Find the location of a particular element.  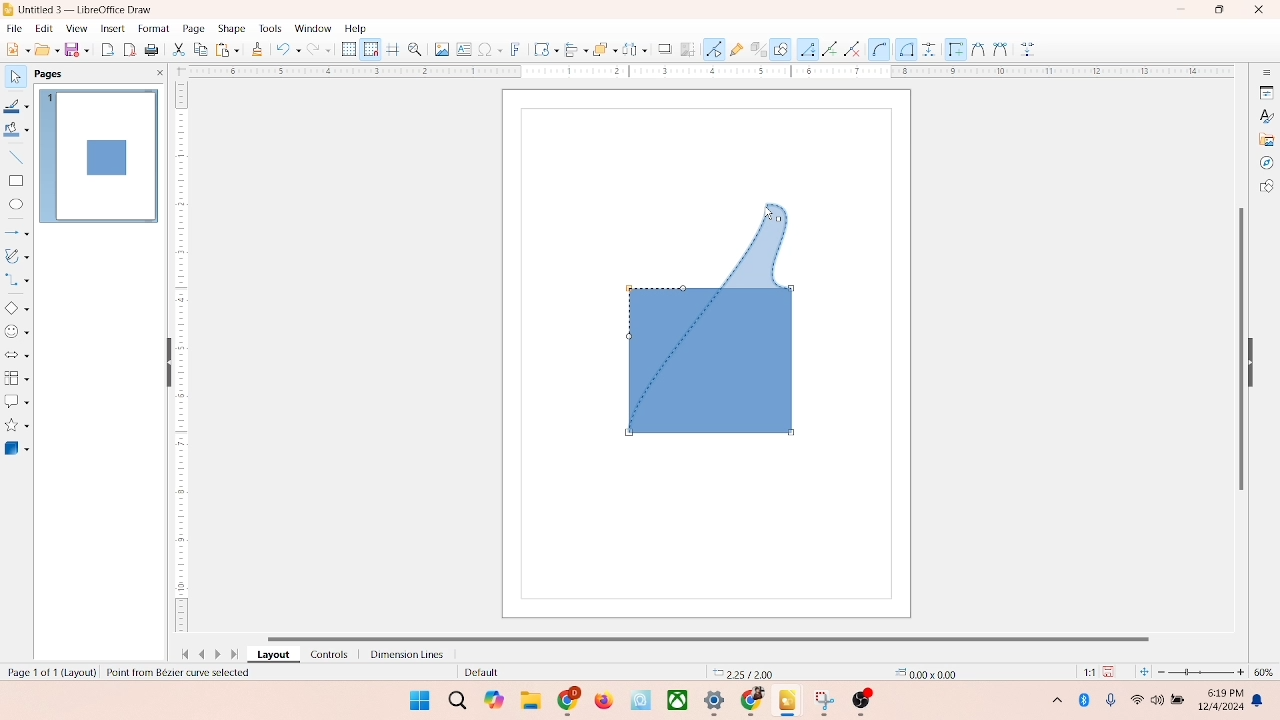

logo is located at coordinates (9, 9).